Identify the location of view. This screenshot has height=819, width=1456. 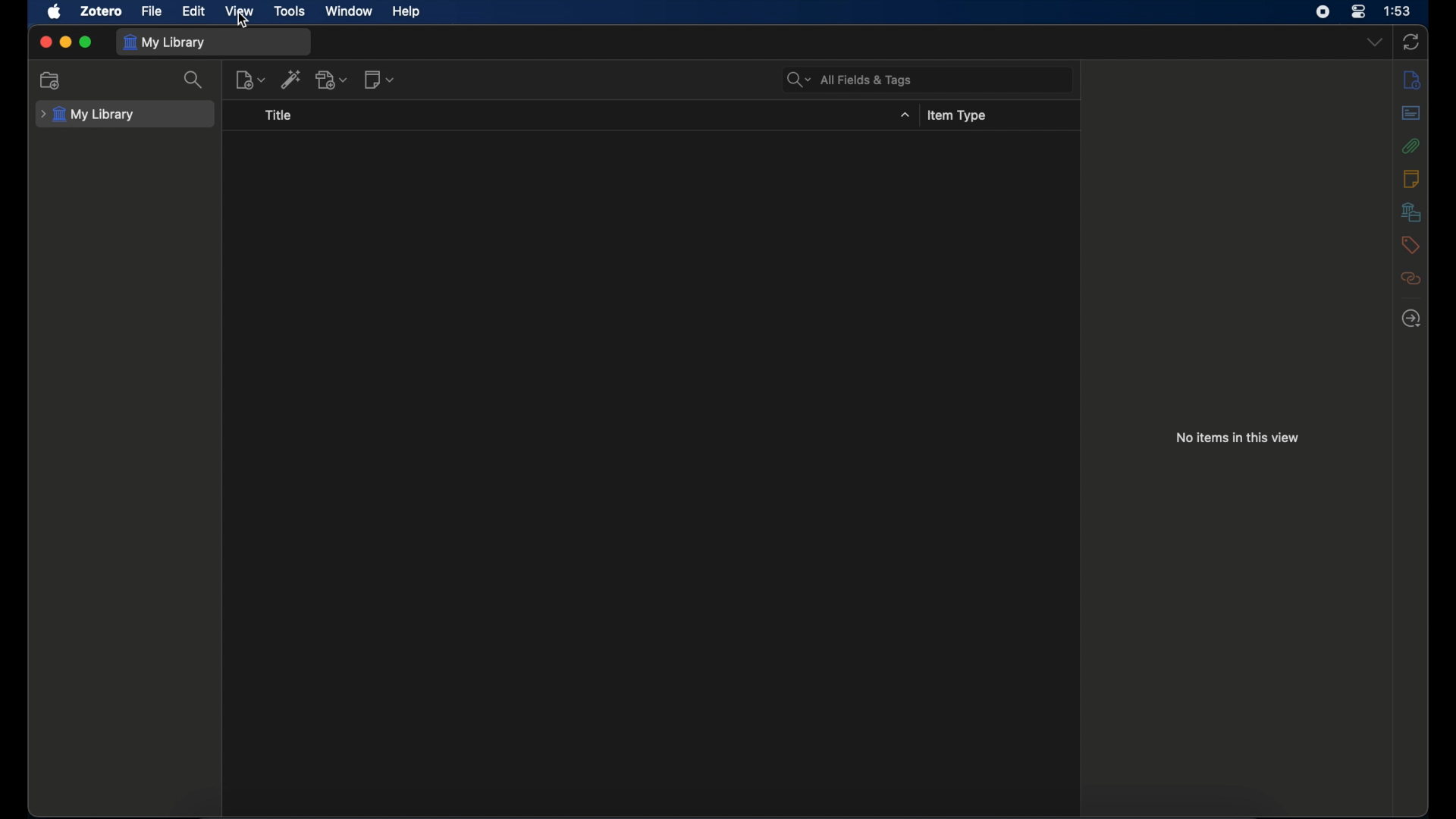
(238, 11).